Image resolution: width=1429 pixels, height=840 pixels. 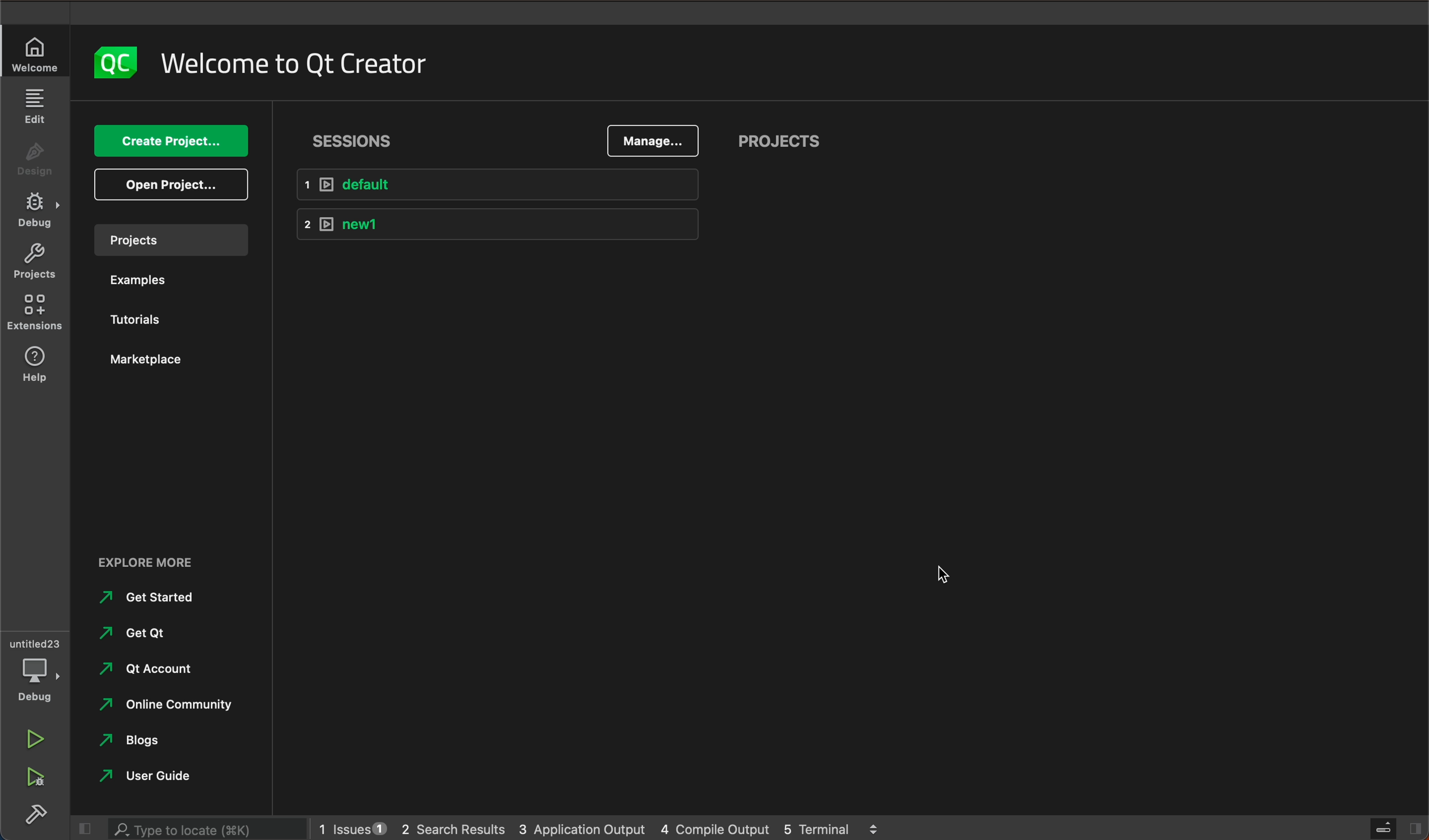 What do you see at coordinates (142, 322) in the screenshot?
I see `tutorials` at bounding box center [142, 322].